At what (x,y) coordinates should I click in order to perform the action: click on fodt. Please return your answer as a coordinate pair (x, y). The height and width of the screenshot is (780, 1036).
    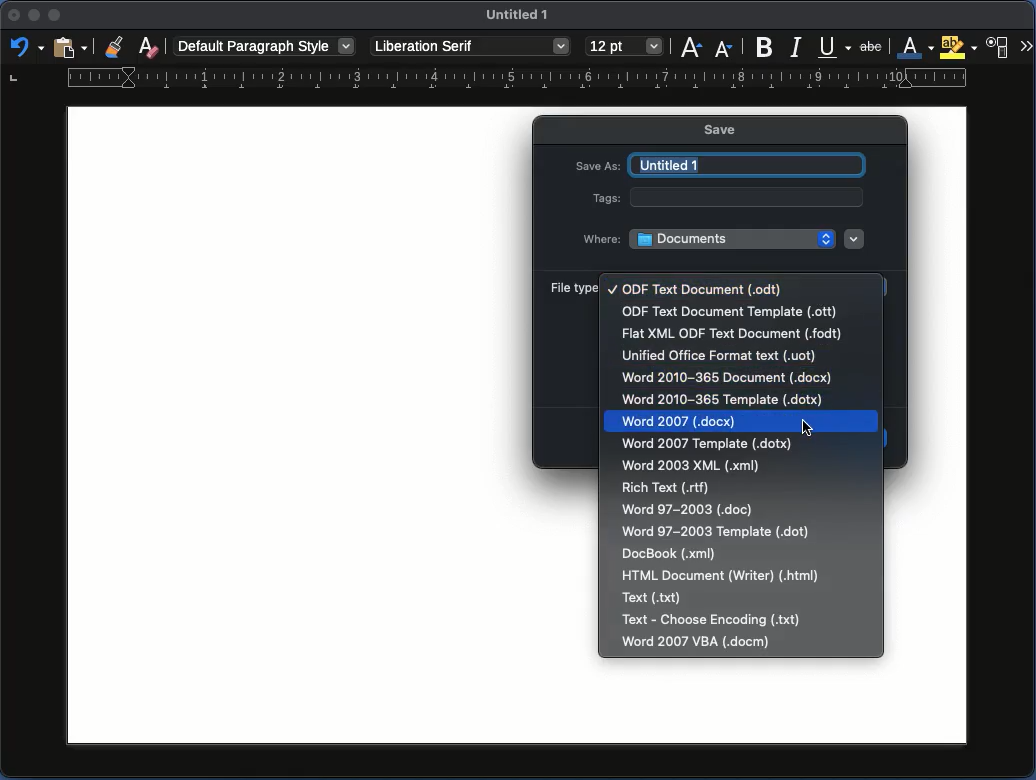
    Looking at the image, I should click on (732, 335).